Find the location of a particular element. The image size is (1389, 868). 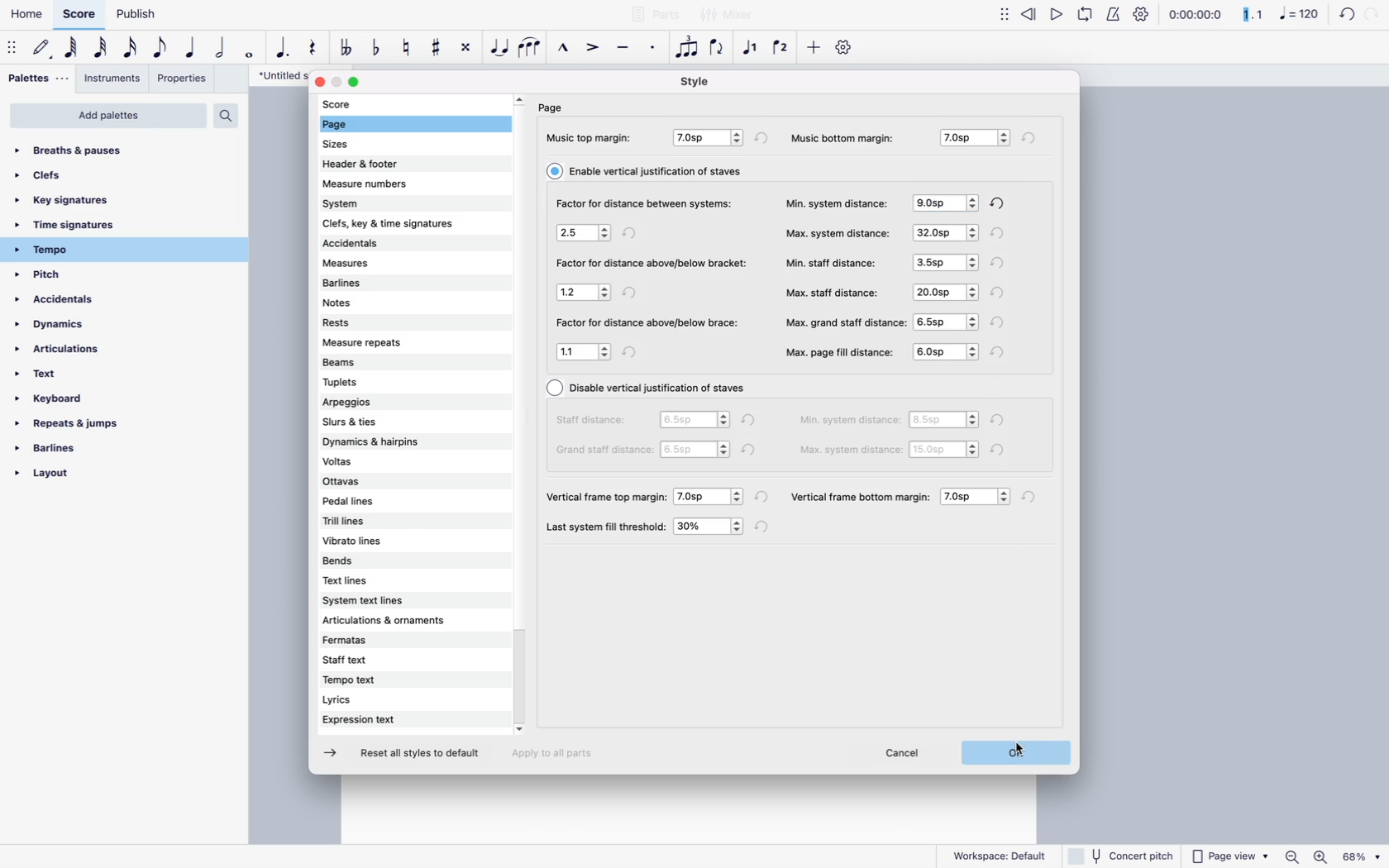

refresh is located at coordinates (1001, 420).